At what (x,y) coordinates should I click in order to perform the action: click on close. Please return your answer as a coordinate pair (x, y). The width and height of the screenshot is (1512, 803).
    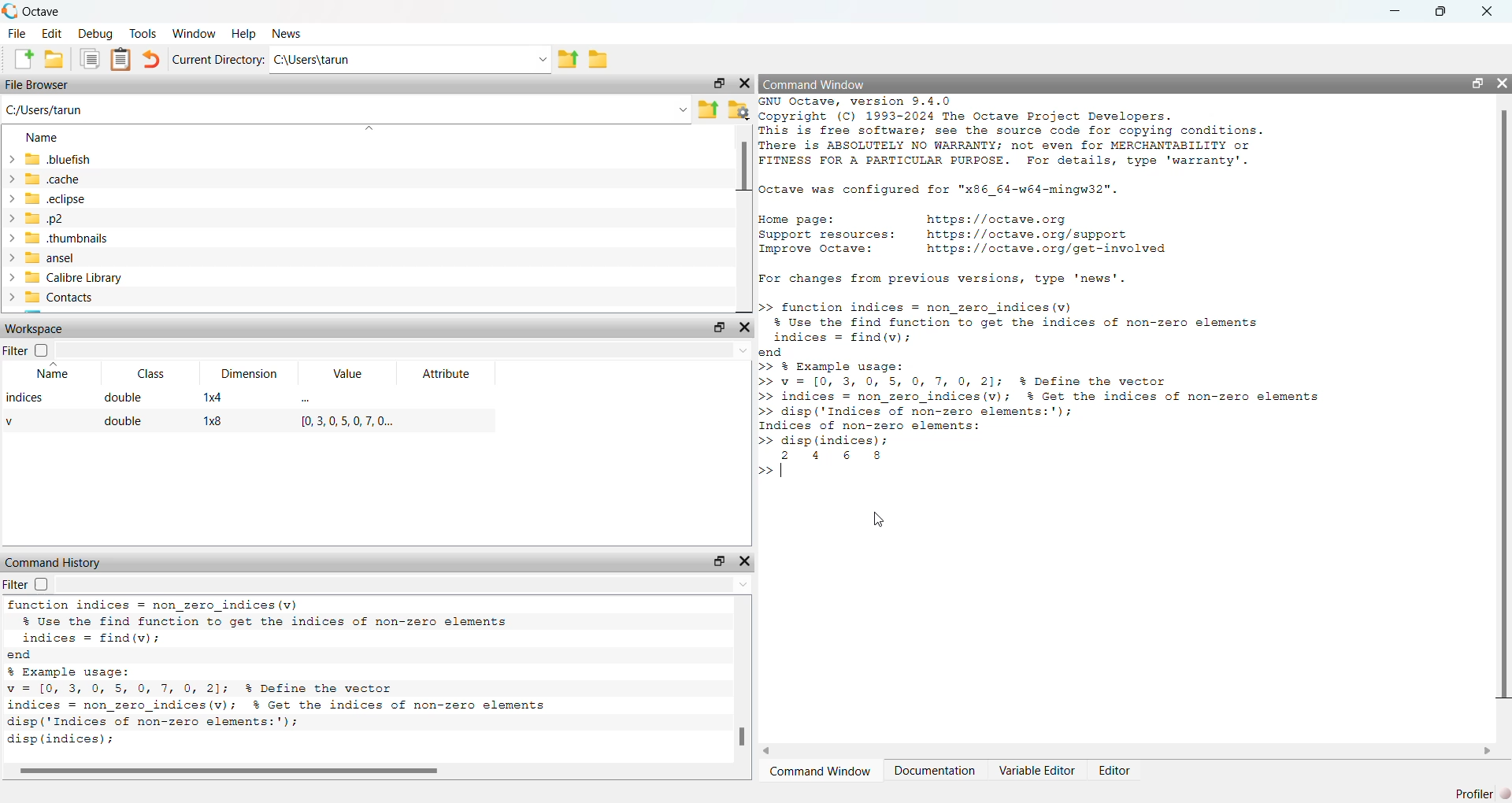
    Looking at the image, I should click on (1487, 14).